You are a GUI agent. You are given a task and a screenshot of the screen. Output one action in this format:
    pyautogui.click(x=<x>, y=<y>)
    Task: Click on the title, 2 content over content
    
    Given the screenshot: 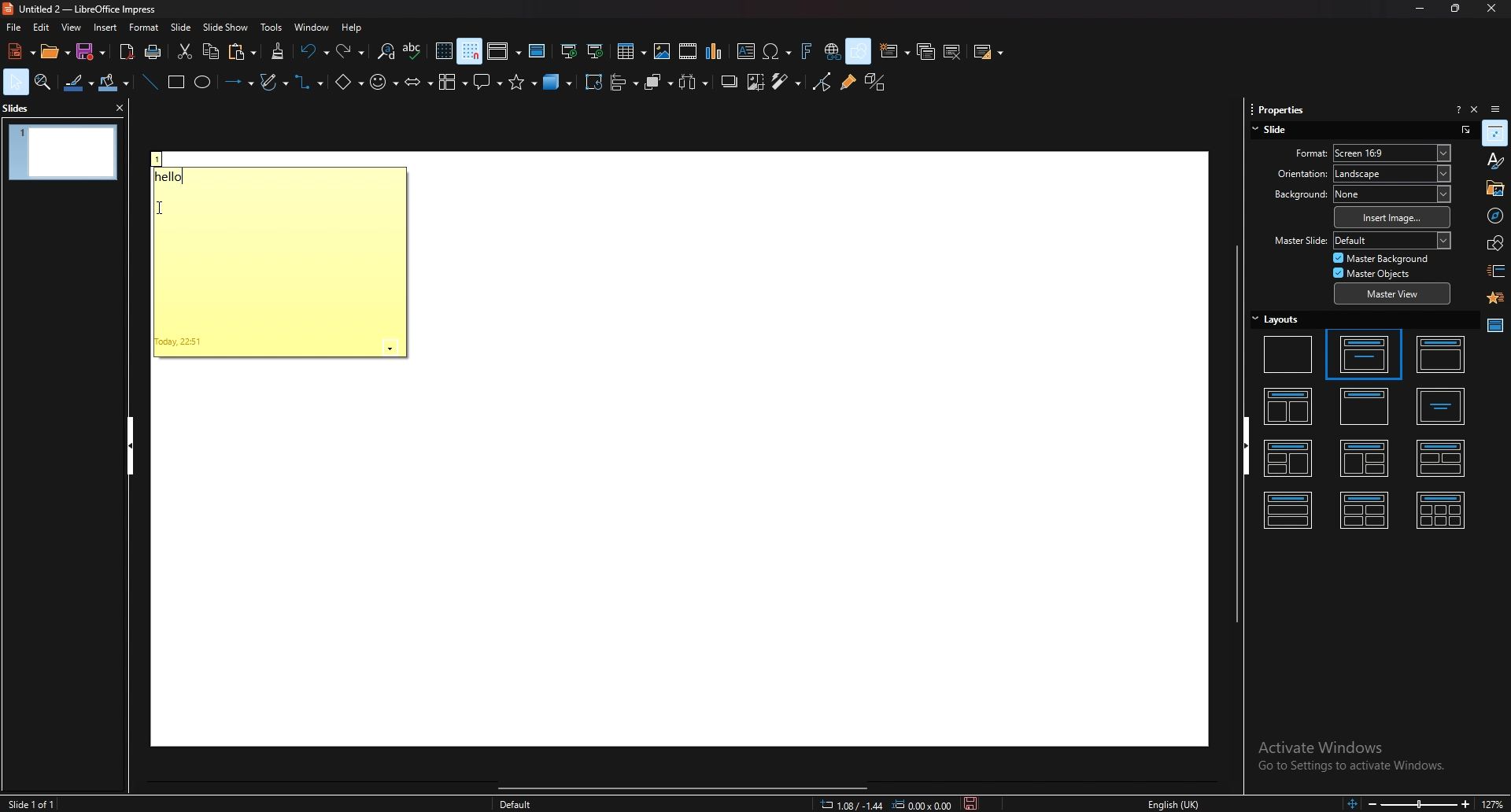 What is the action you would take?
    pyautogui.click(x=1442, y=457)
    